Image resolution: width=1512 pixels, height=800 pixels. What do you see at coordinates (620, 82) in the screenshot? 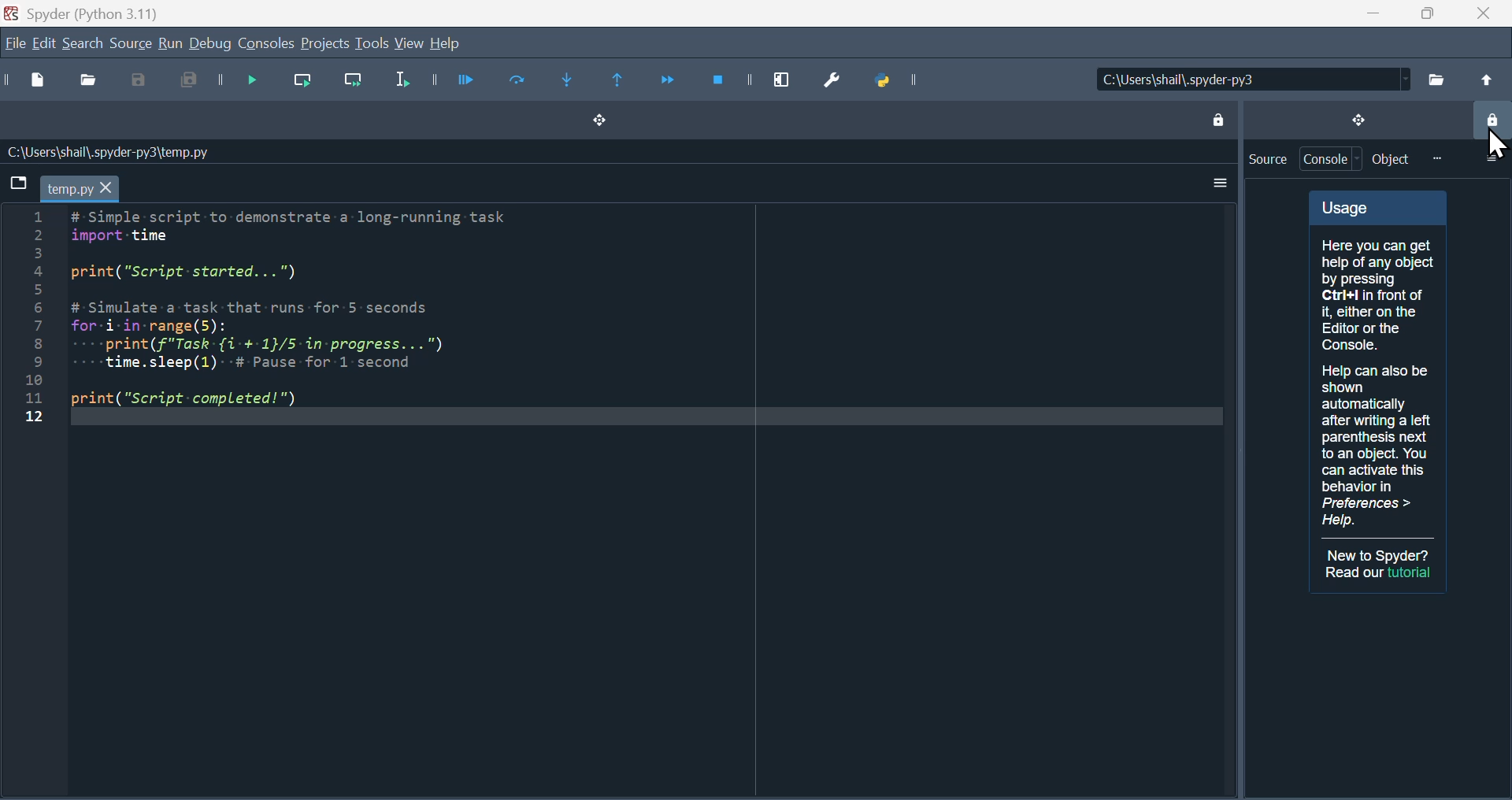
I see `Execute until same function returns` at bounding box center [620, 82].